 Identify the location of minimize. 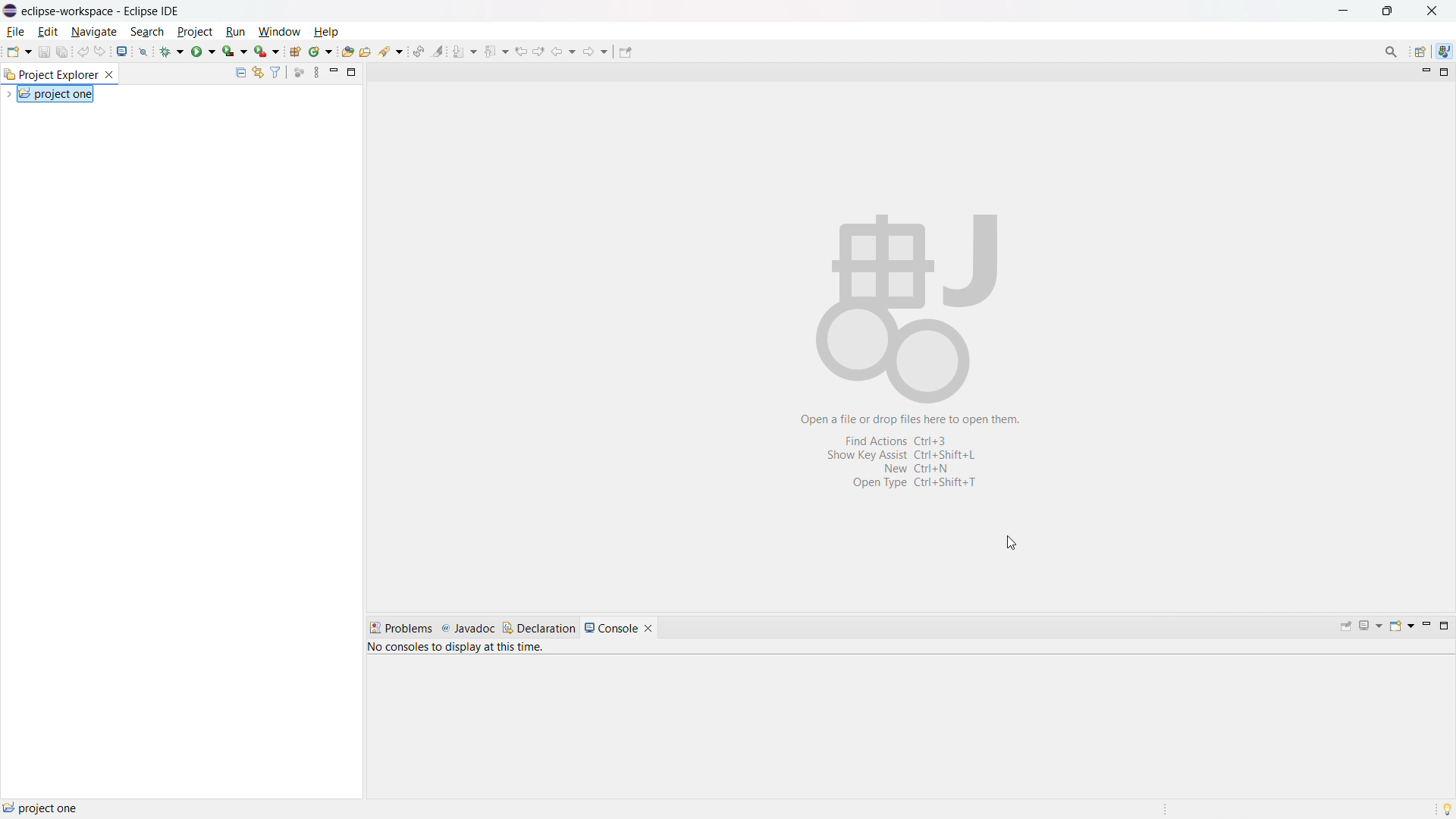
(334, 72).